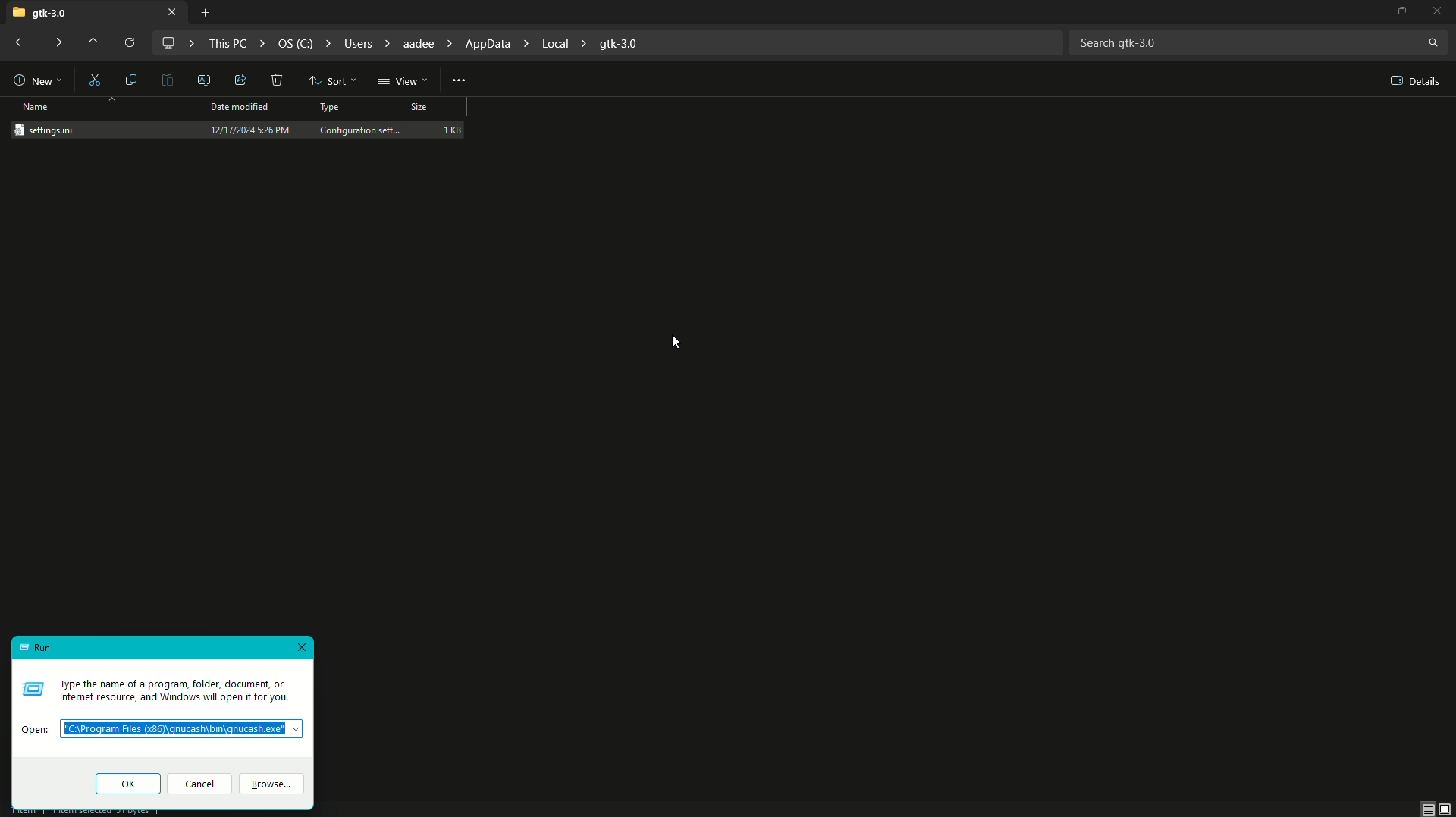 The image size is (1456, 817). Describe the element at coordinates (96, 79) in the screenshot. I see `Cut` at that location.